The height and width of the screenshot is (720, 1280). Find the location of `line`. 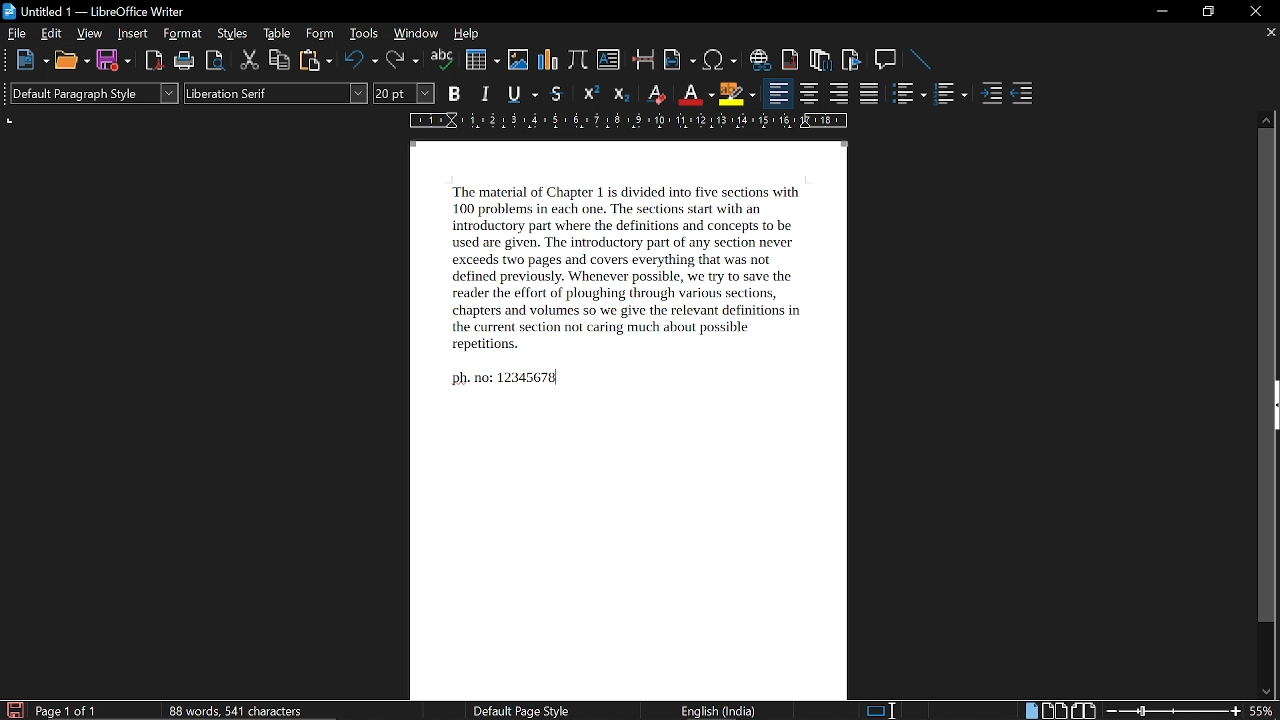

line is located at coordinates (920, 59).